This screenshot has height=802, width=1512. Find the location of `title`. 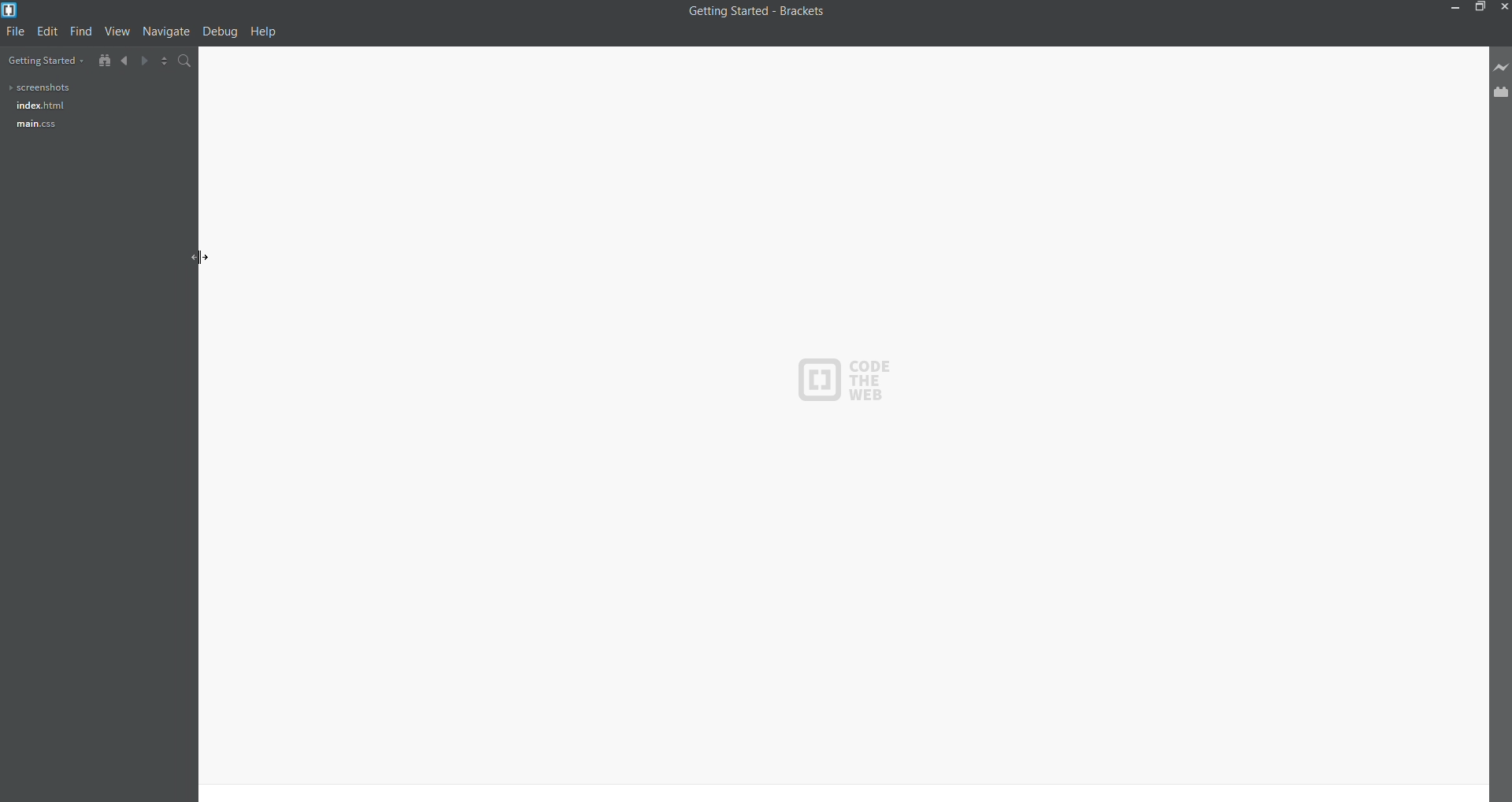

title is located at coordinates (755, 16).